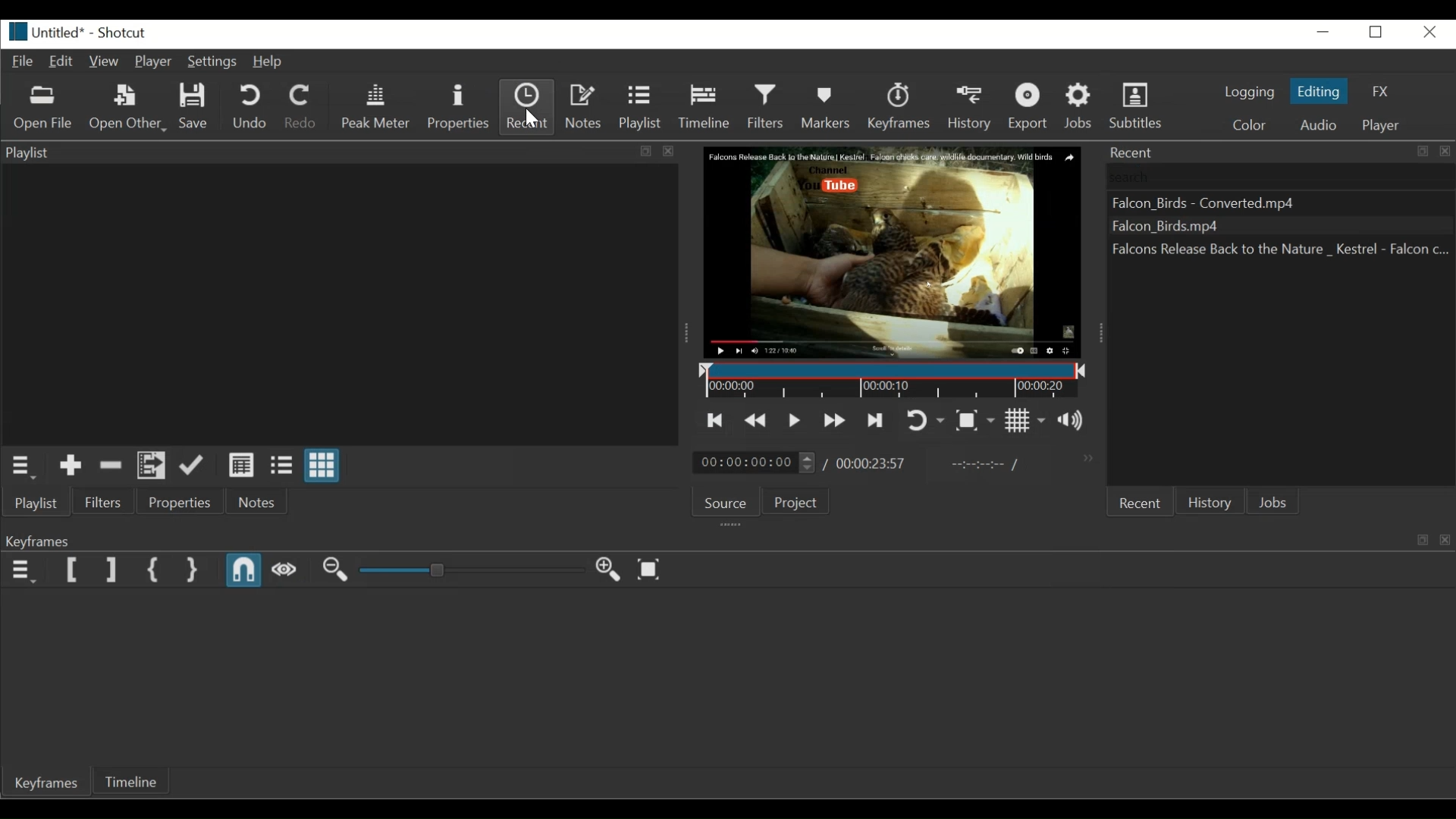 The image size is (1456, 819). I want to click on Settings, so click(212, 62).